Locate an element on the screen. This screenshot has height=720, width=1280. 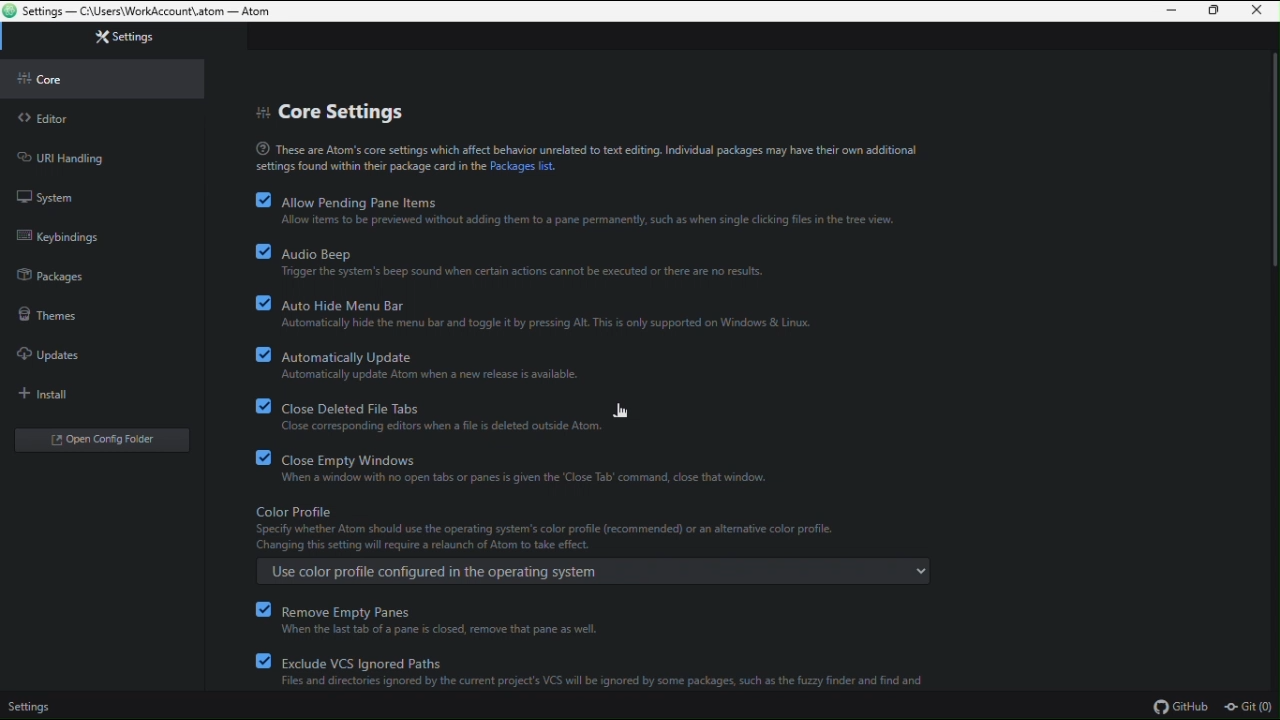
Url handling is located at coordinates (70, 155).